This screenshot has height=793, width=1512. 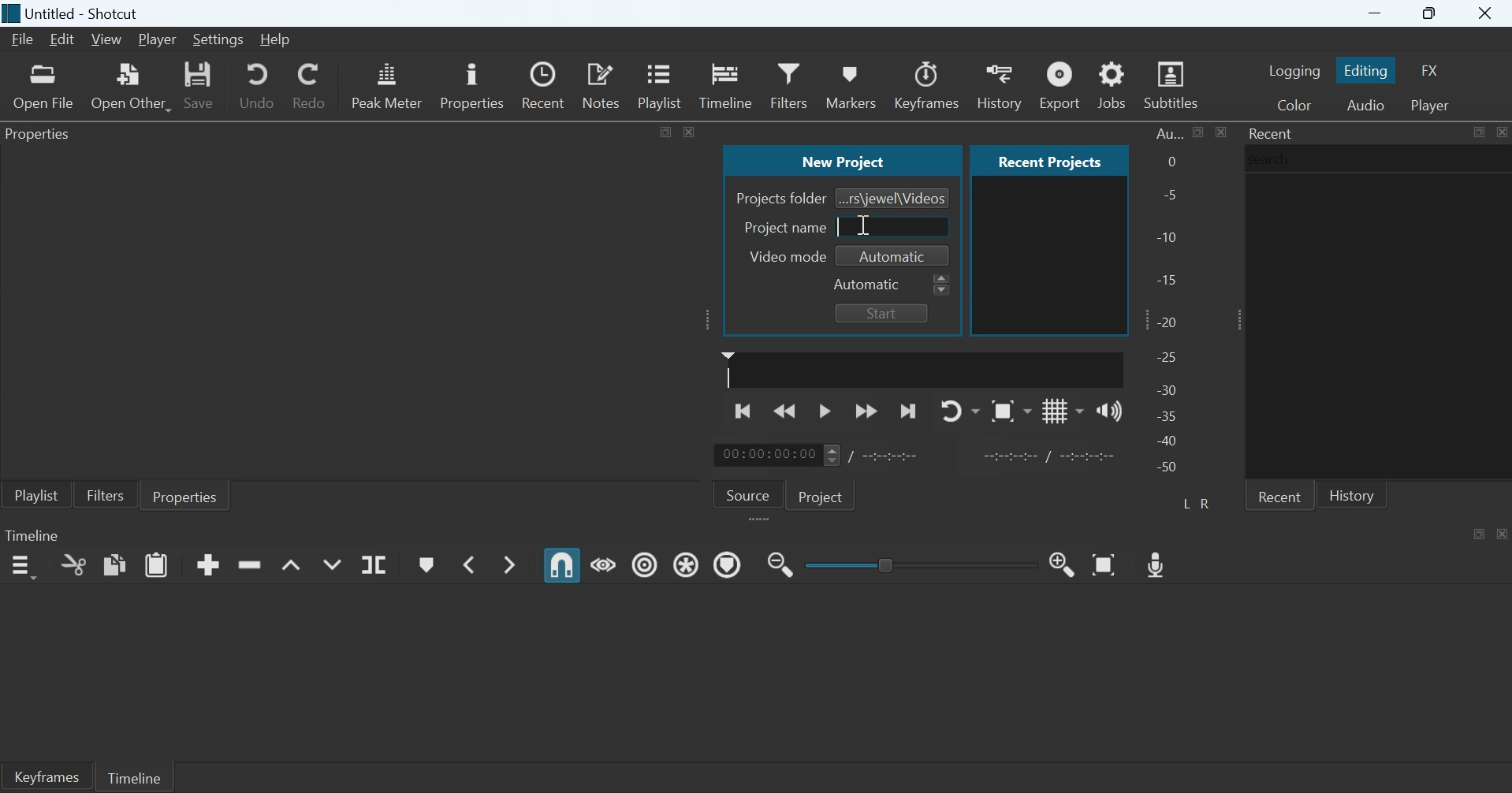 I want to click on Overwrite, so click(x=331, y=564).